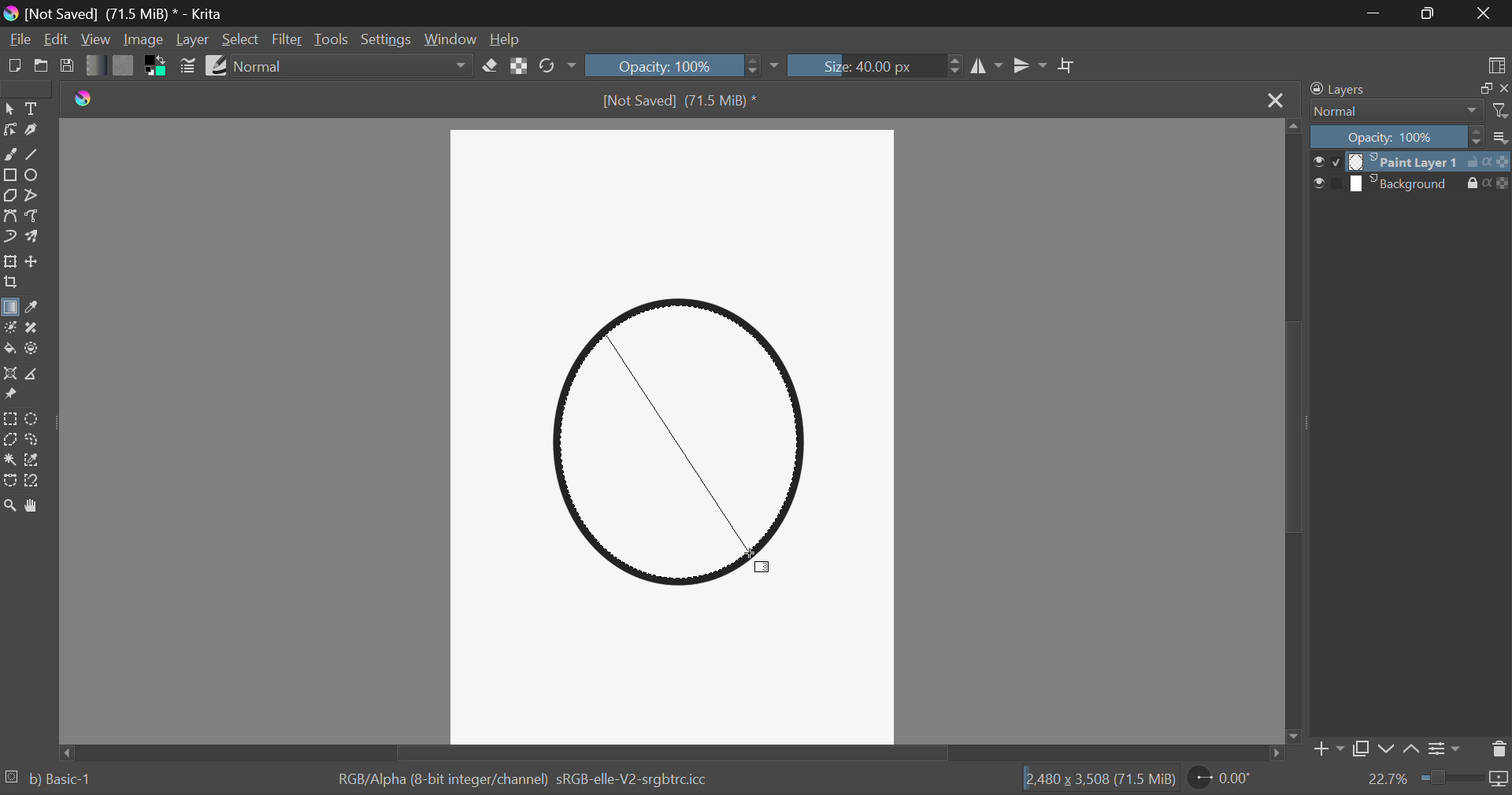 The width and height of the screenshot is (1512, 795). What do you see at coordinates (10, 331) in the screenshot?
I see `Colorize Mask Tool` at bounding box center [10, 331].